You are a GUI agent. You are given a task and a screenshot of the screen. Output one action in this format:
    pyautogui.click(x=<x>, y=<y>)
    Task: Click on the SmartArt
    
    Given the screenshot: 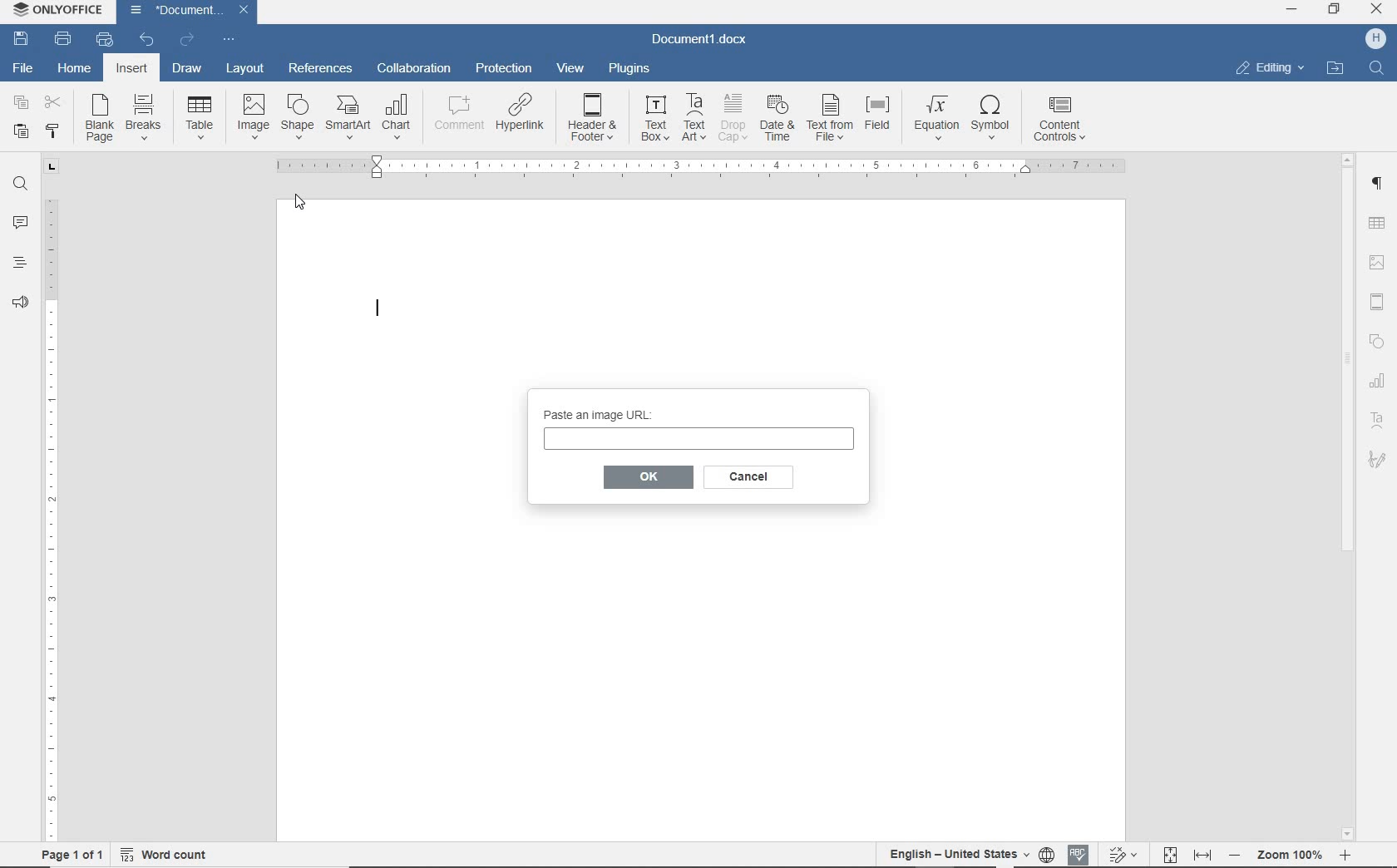 What is the action you would take?
    pyautogui.click(x=347, y=118)
    